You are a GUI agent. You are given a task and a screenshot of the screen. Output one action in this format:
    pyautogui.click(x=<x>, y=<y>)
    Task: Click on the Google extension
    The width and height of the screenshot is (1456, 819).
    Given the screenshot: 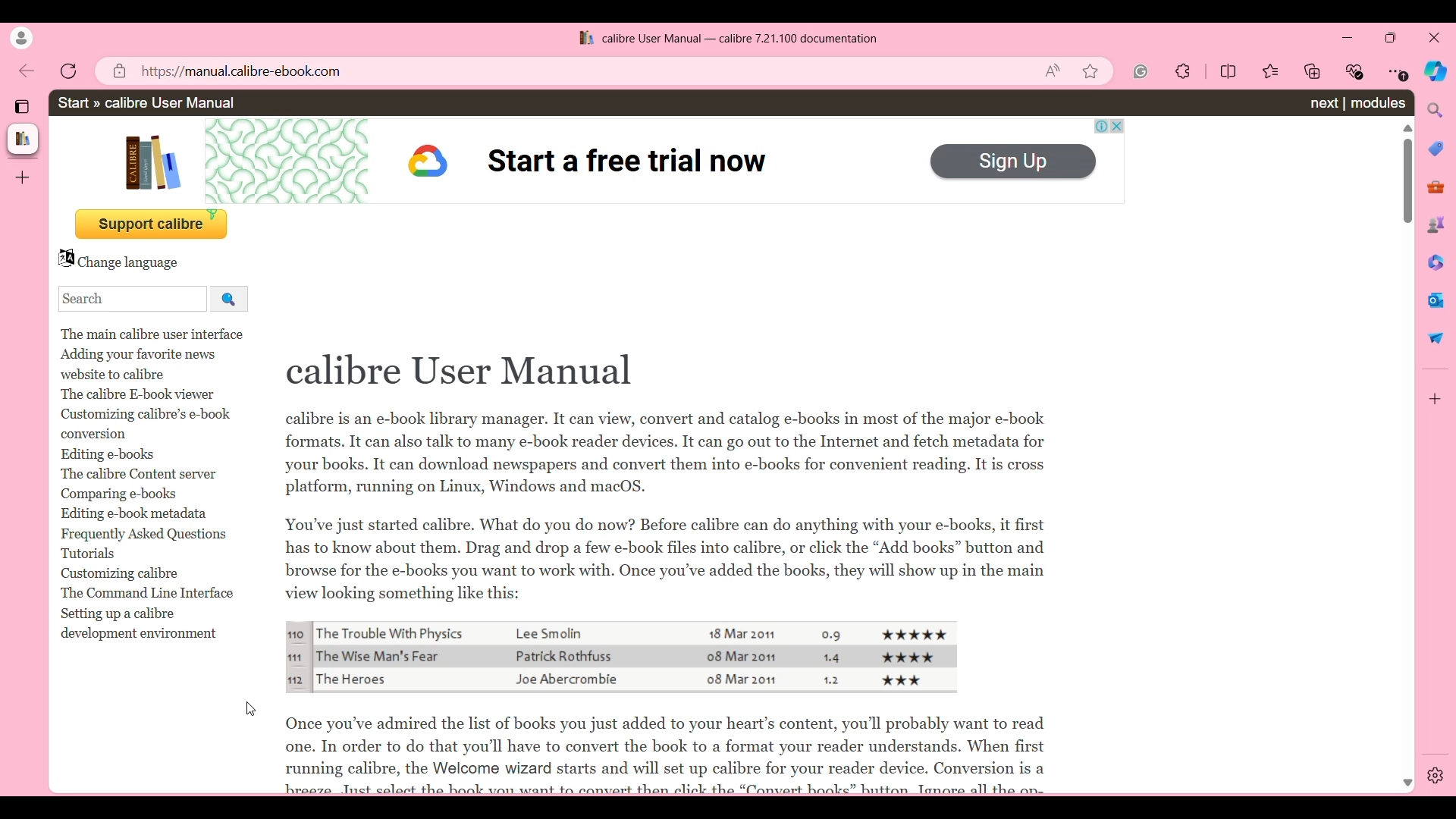 What is the action you would take?
    pyautogui.click(x=1141, y=71)
    